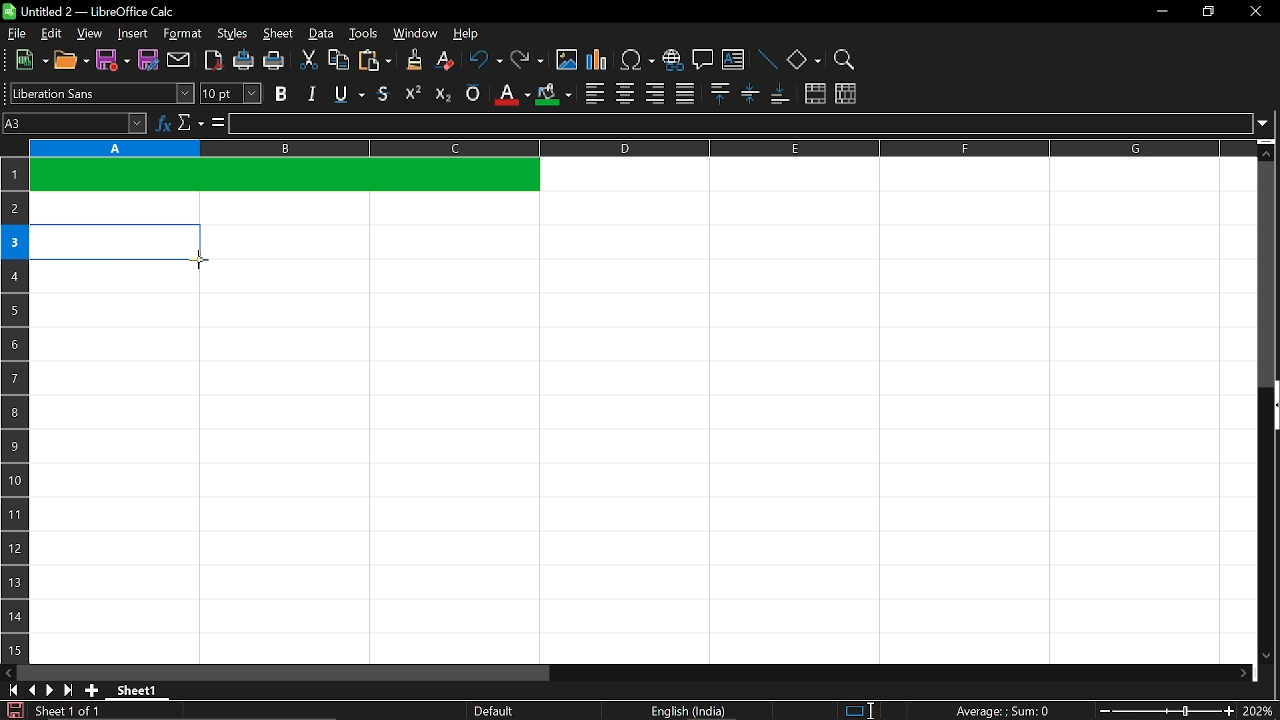 This screenshot has height=720, width=1280. What do you see at coordinates (17, 33) in the screenshot?
I see `file` at bounding box center [17, 33].